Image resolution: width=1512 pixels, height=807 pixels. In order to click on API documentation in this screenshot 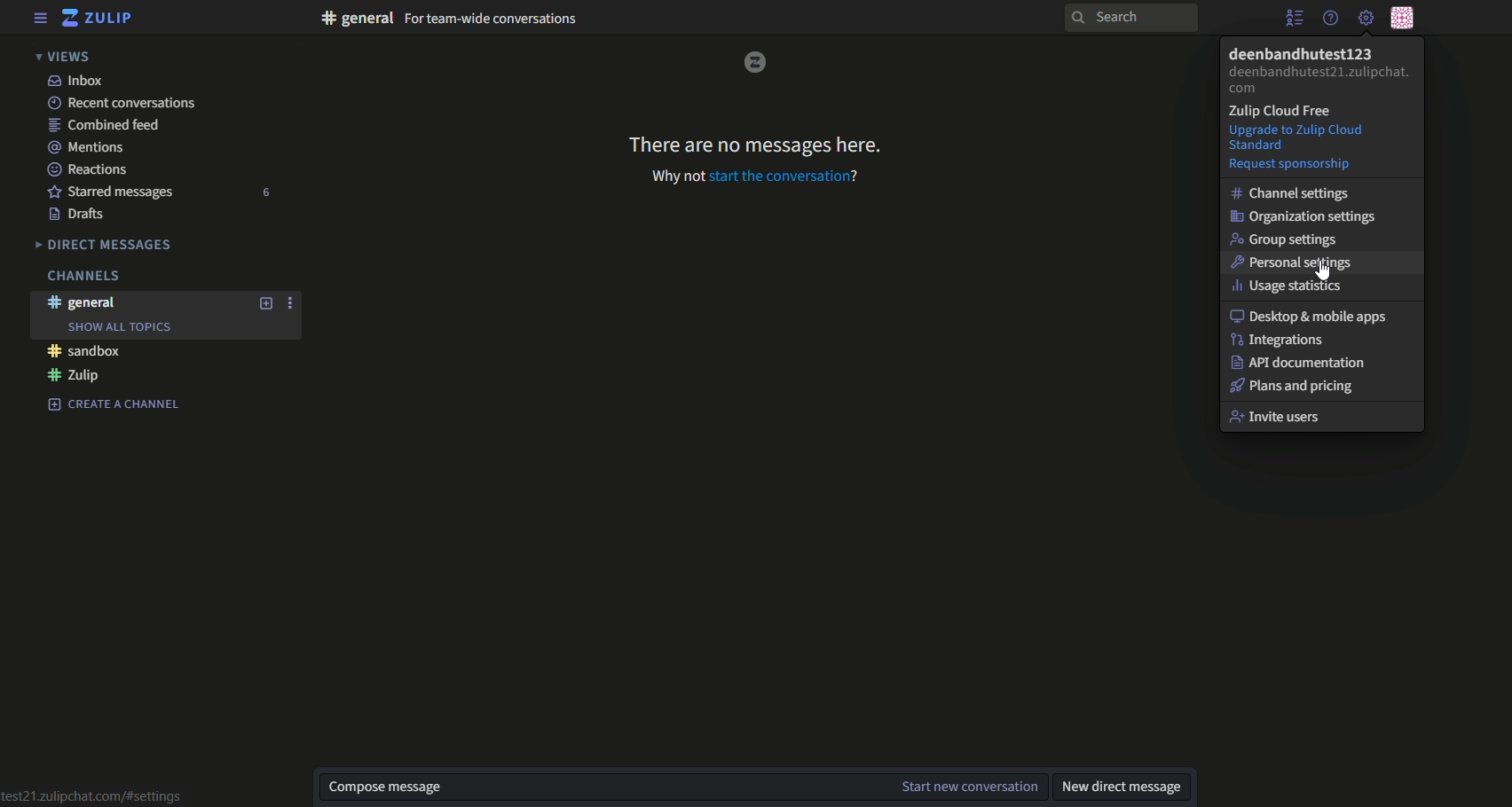, I will do `click(1306, 364)`.